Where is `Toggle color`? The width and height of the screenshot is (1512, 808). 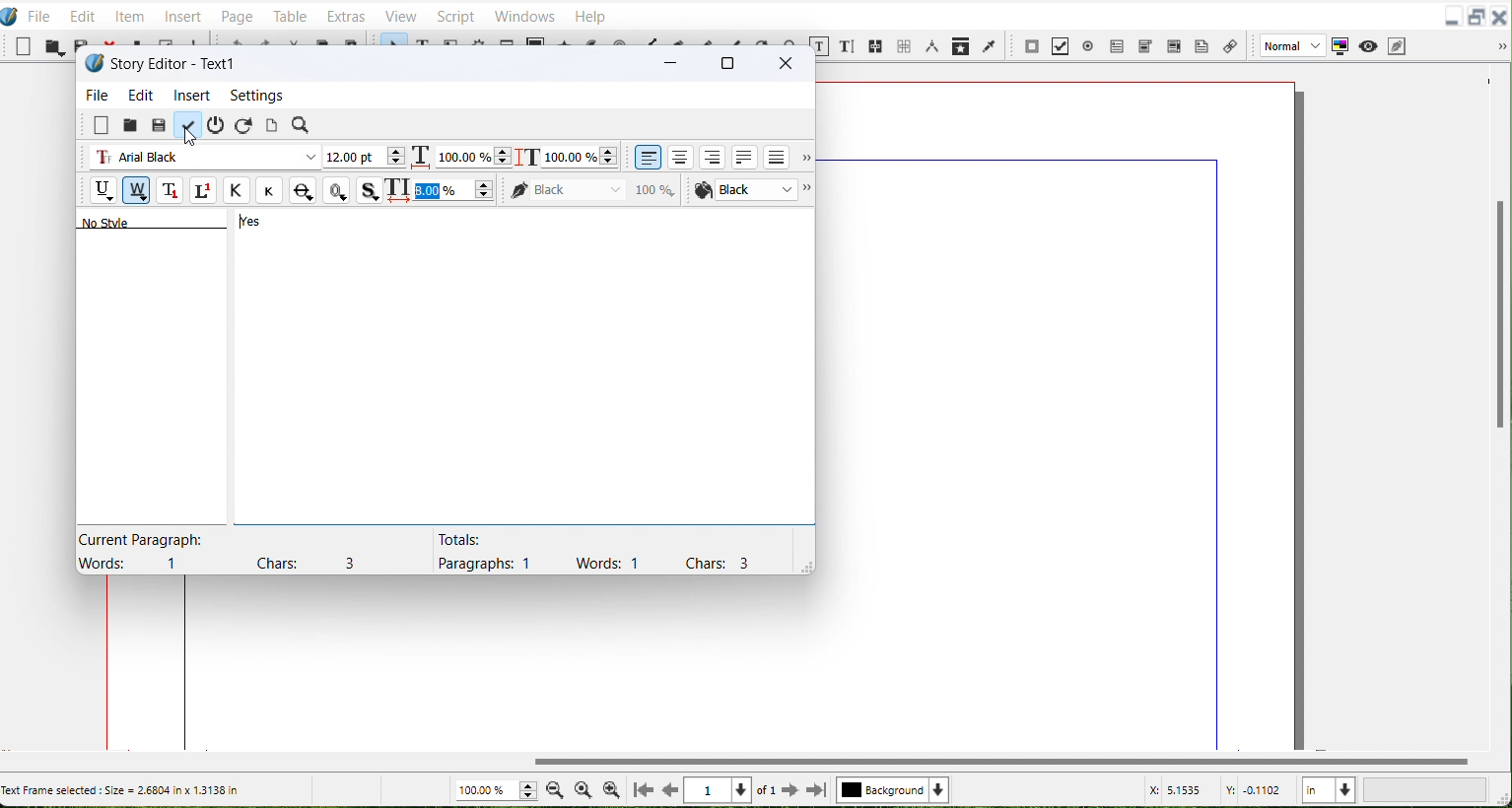 Toggle color is located at coordinates (1340, 45).